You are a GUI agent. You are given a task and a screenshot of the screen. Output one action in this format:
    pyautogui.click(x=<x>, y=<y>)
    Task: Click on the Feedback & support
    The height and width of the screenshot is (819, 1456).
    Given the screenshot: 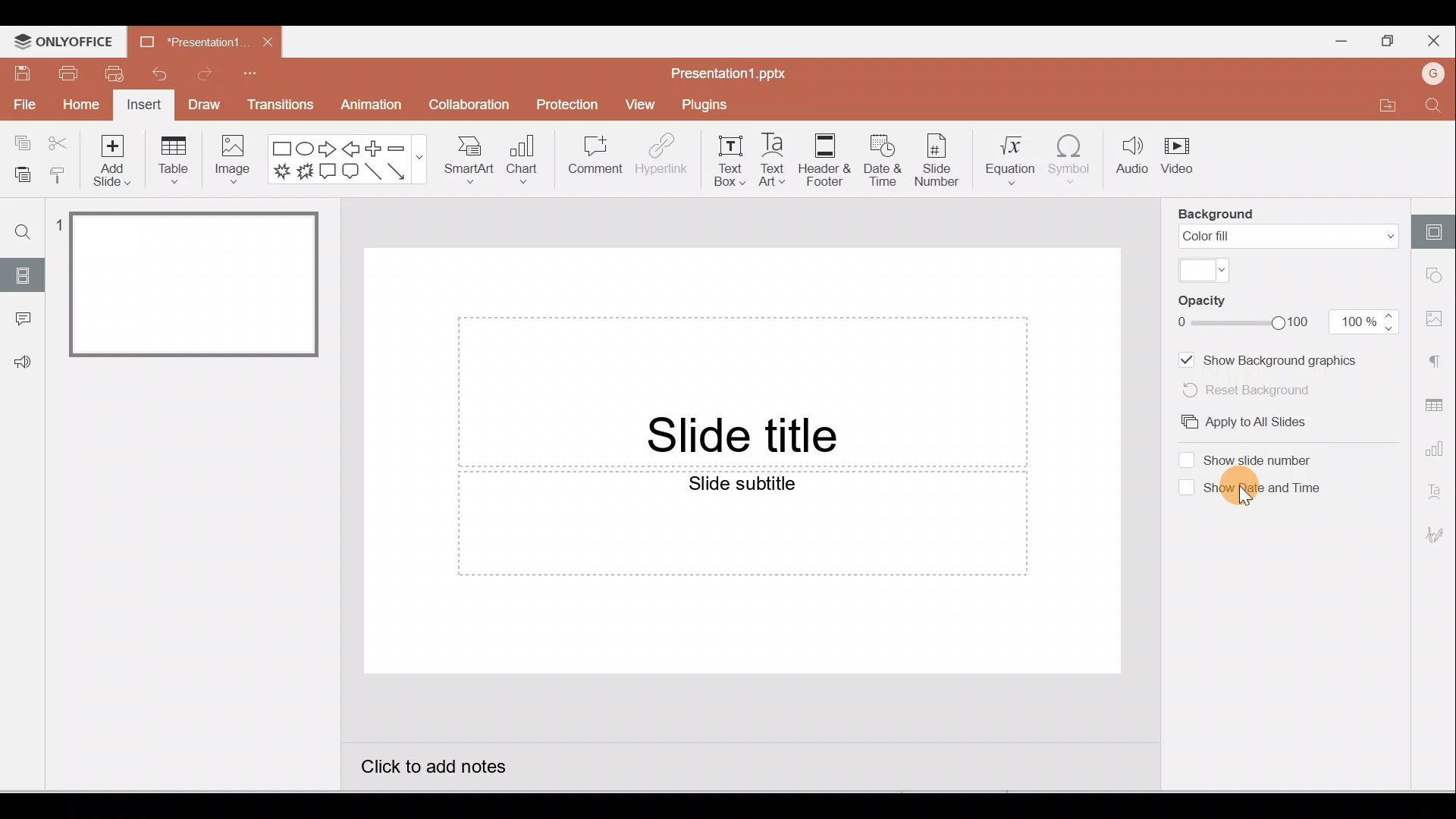 What is the action you would take?
    pyautogui.click(x=24, y=362)
    